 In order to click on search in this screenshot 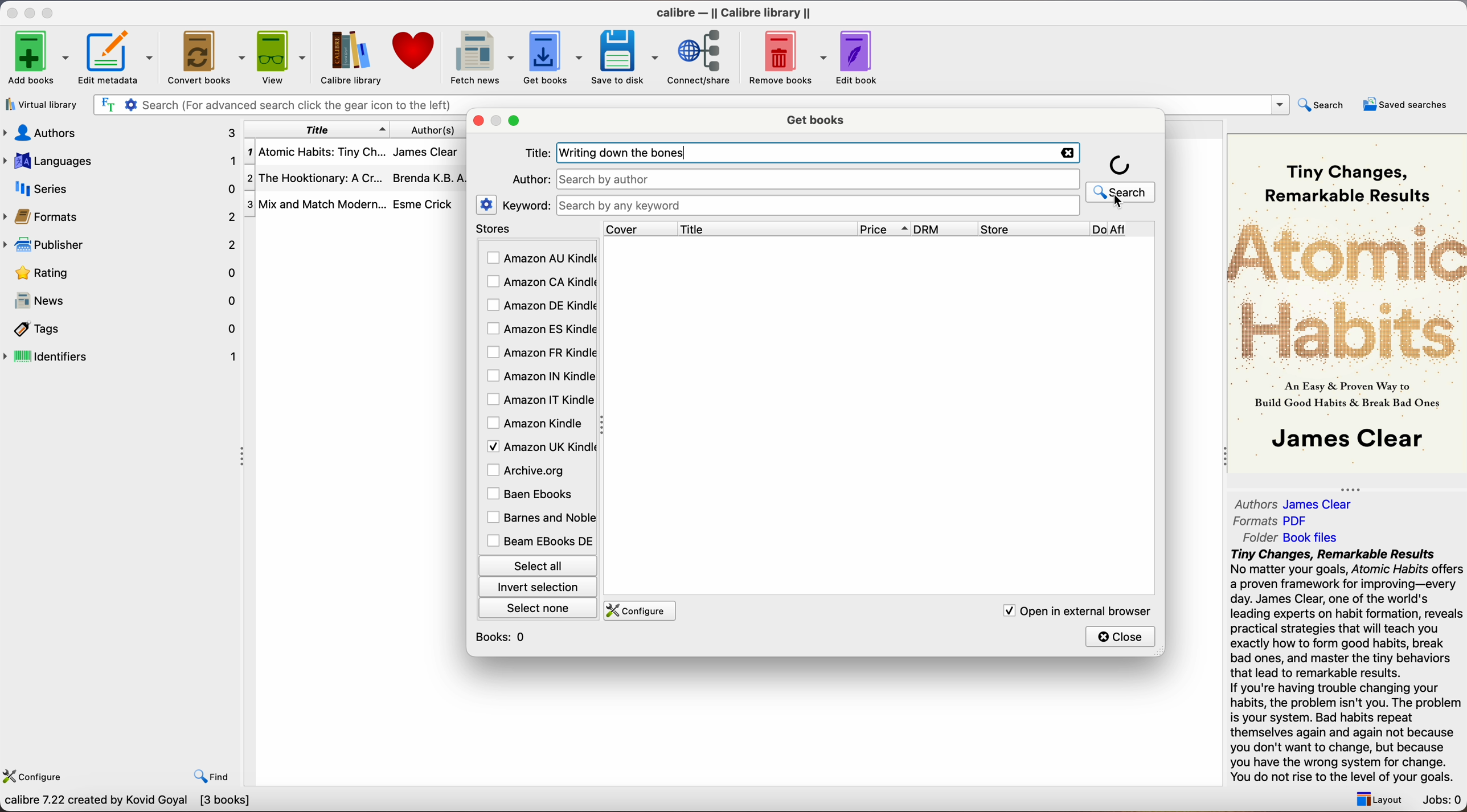, I will do `click(1323, 104)`.